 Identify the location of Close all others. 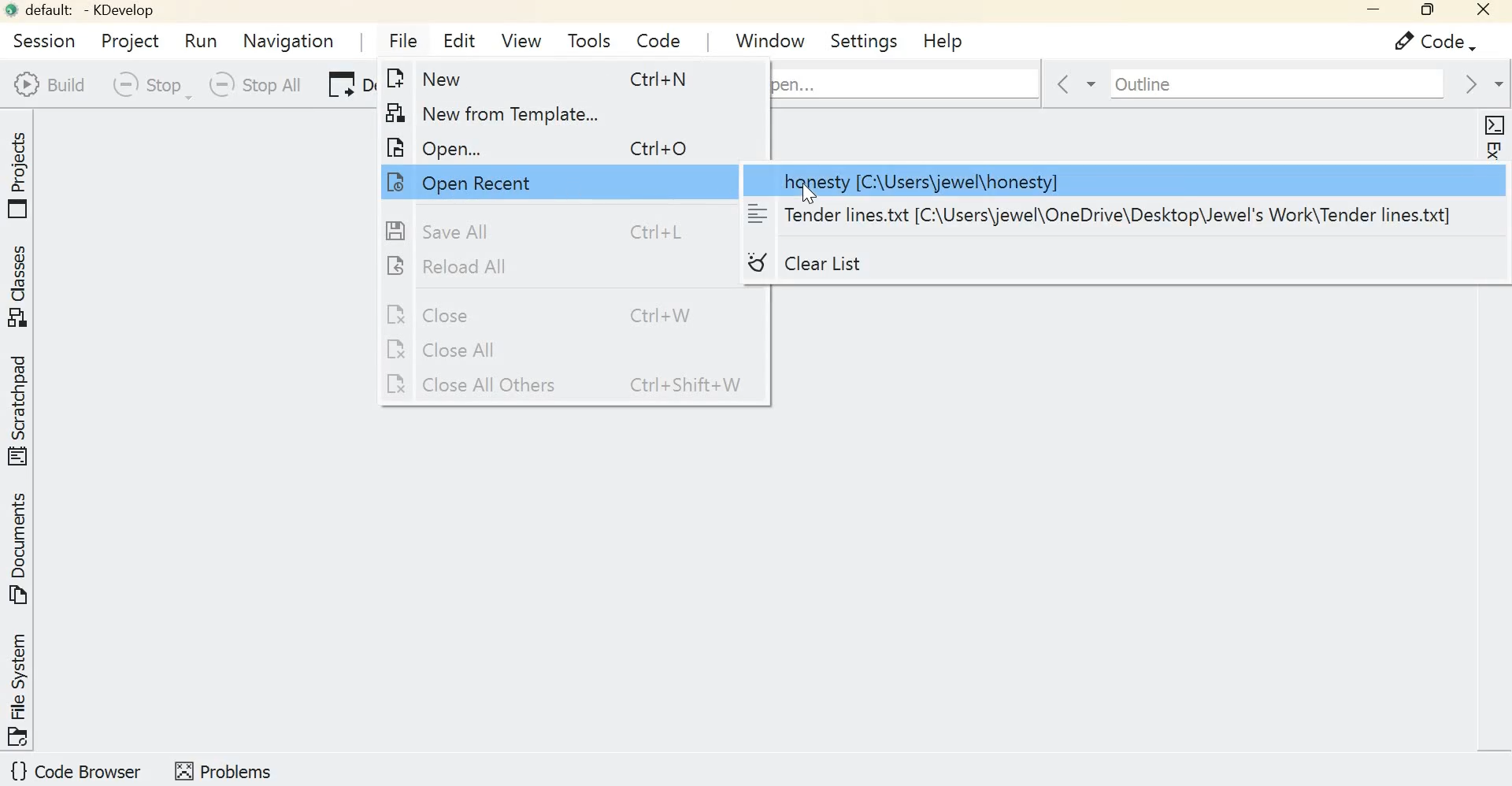
(571, 386).